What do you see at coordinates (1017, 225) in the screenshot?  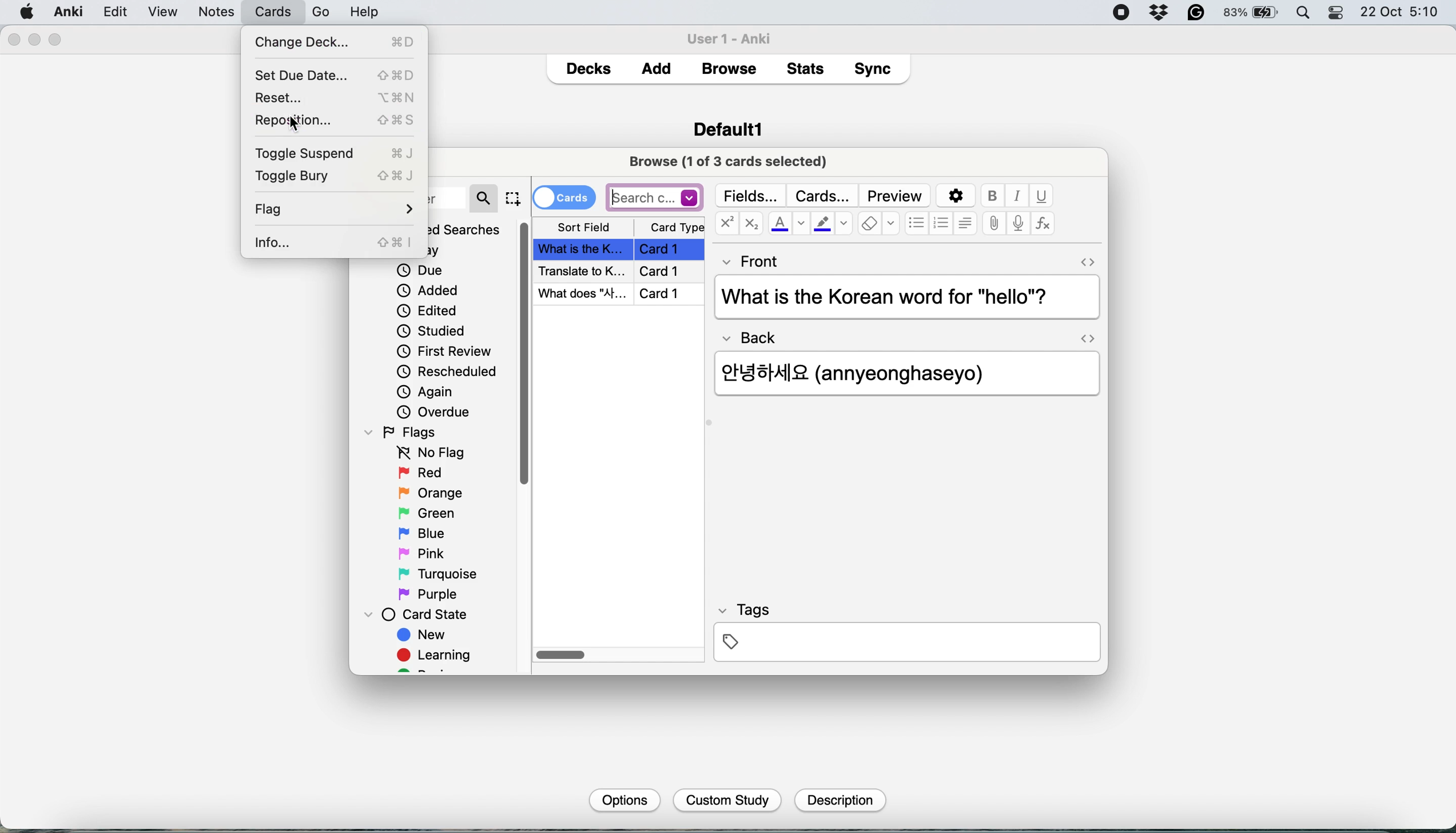 I see `audio recorder` at bounding box center [1017, 225].